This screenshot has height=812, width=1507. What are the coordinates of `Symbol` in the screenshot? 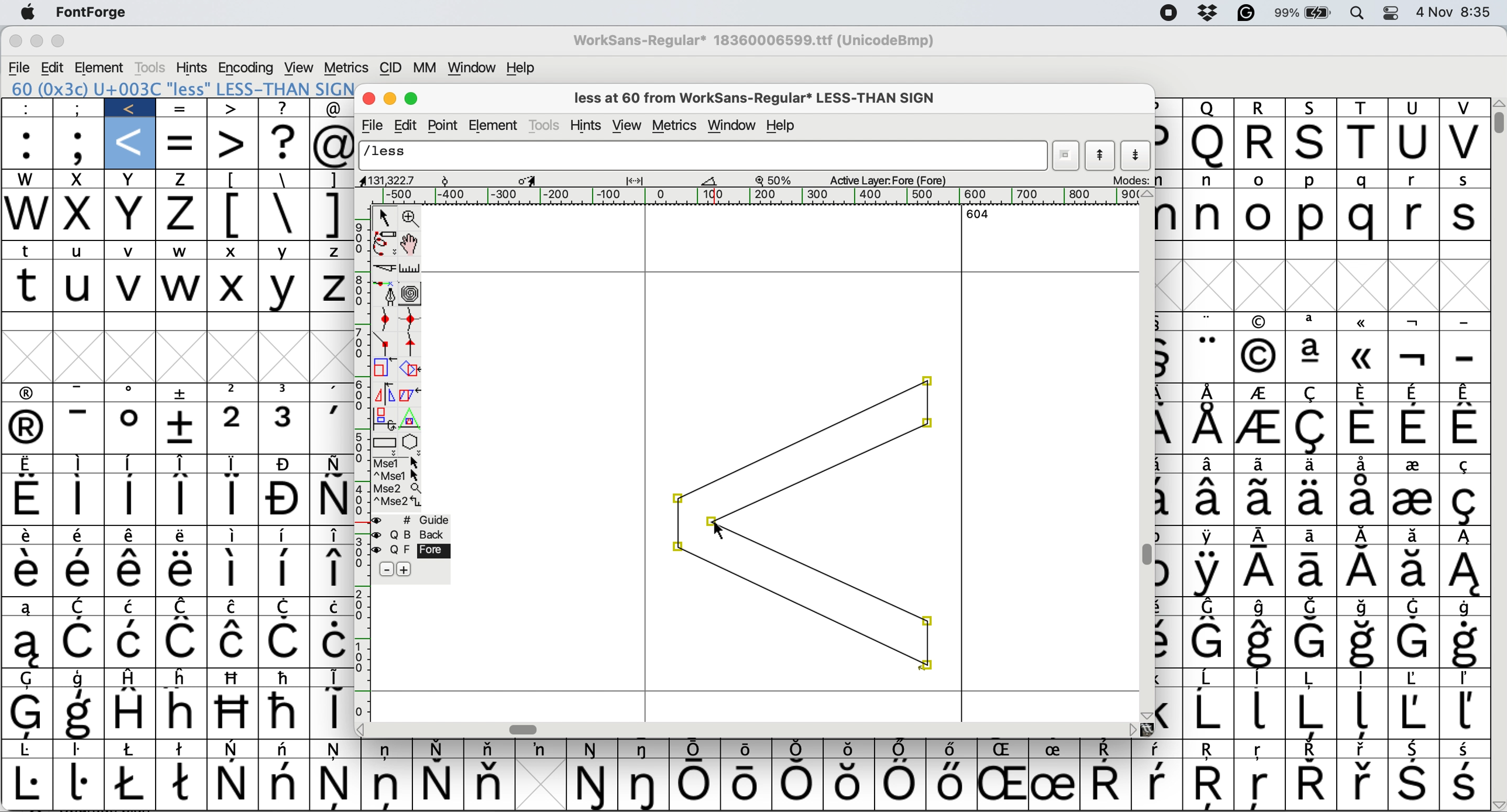 It's located at (329, 570).